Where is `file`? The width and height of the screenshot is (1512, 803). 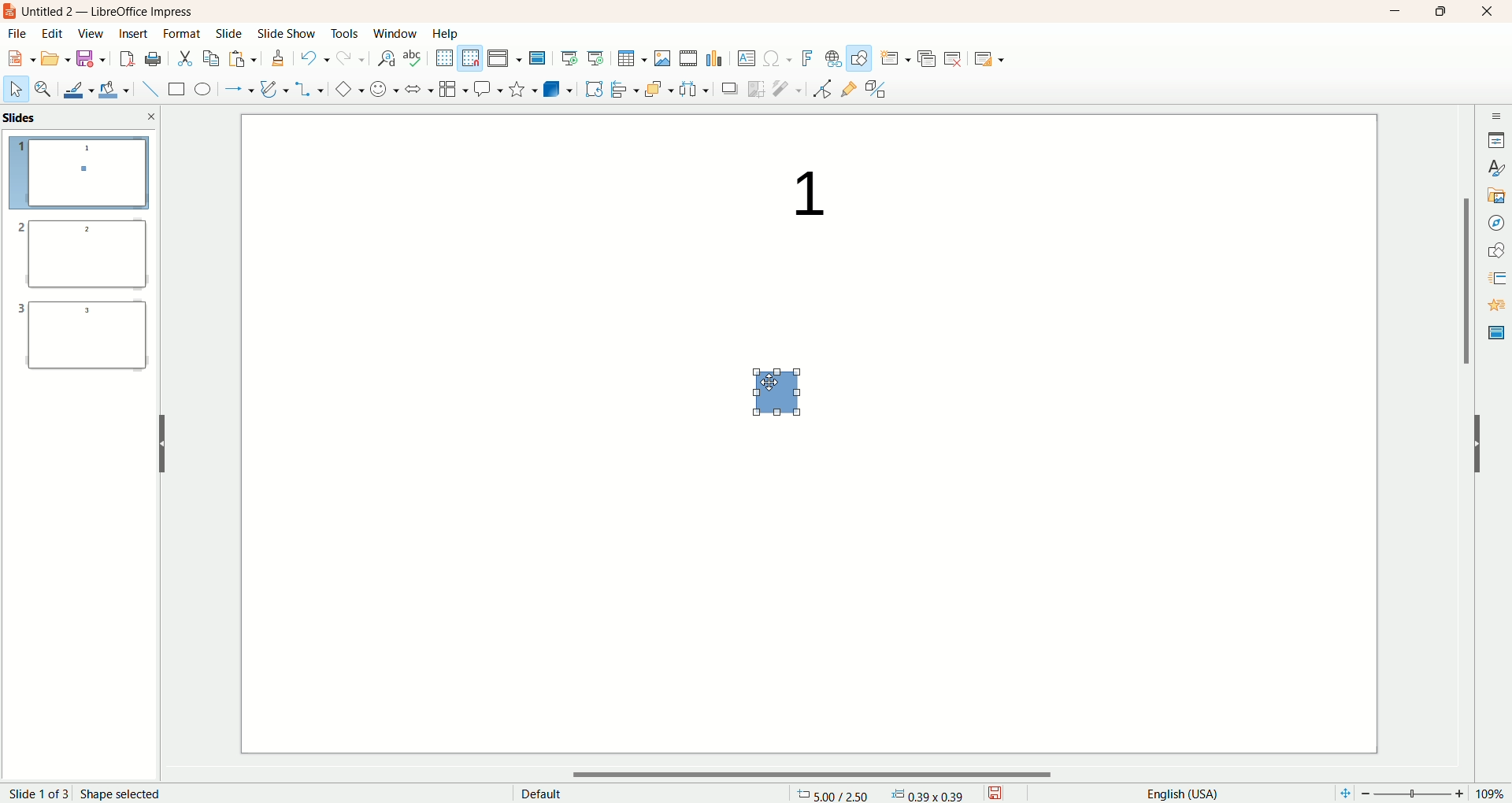 file is located at coordinates (22, 34).